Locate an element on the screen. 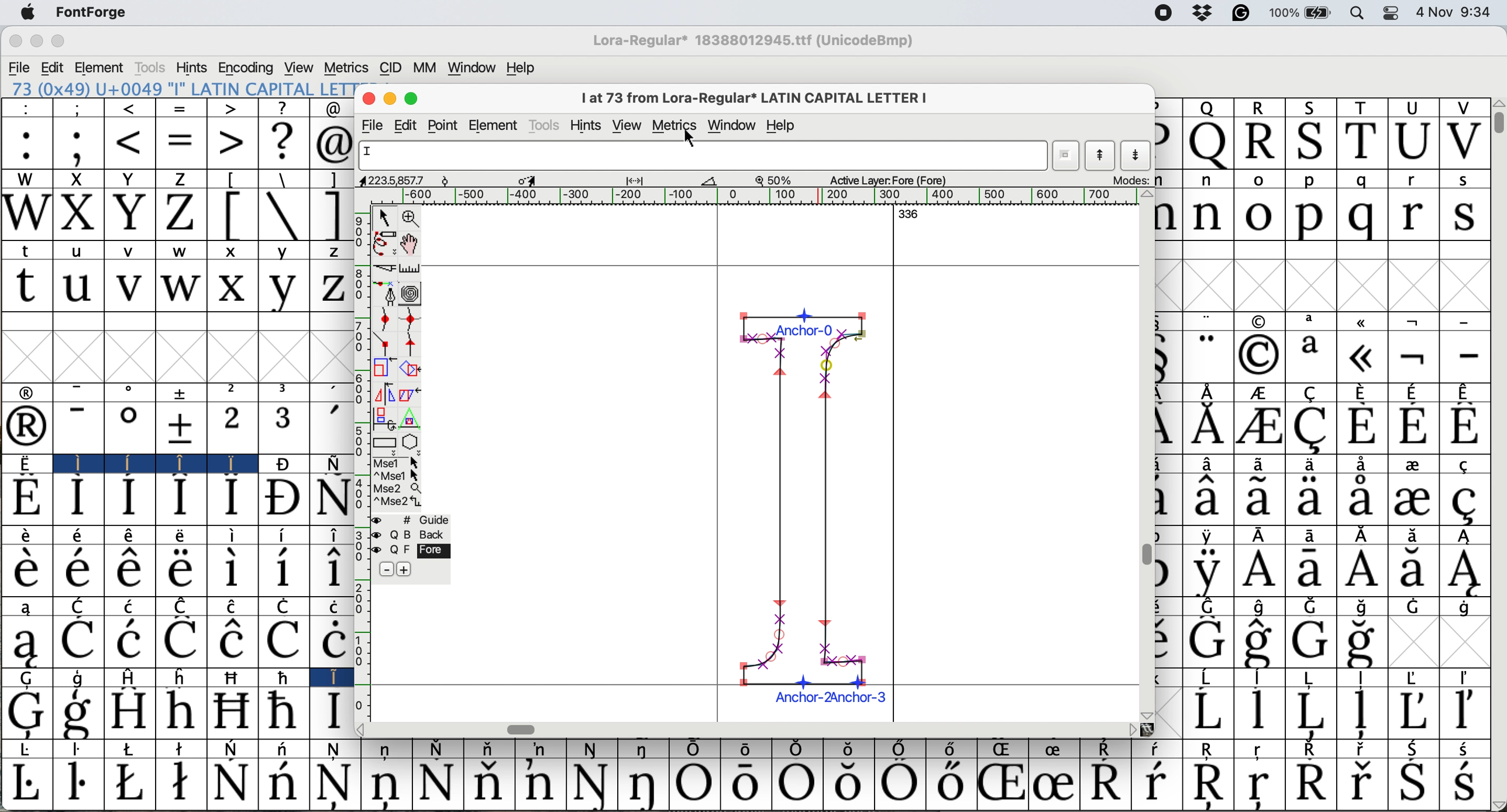 Image resolution: width=1507 pixels, height=812 pixels. Symbol is located at coordinates (1364, 749).